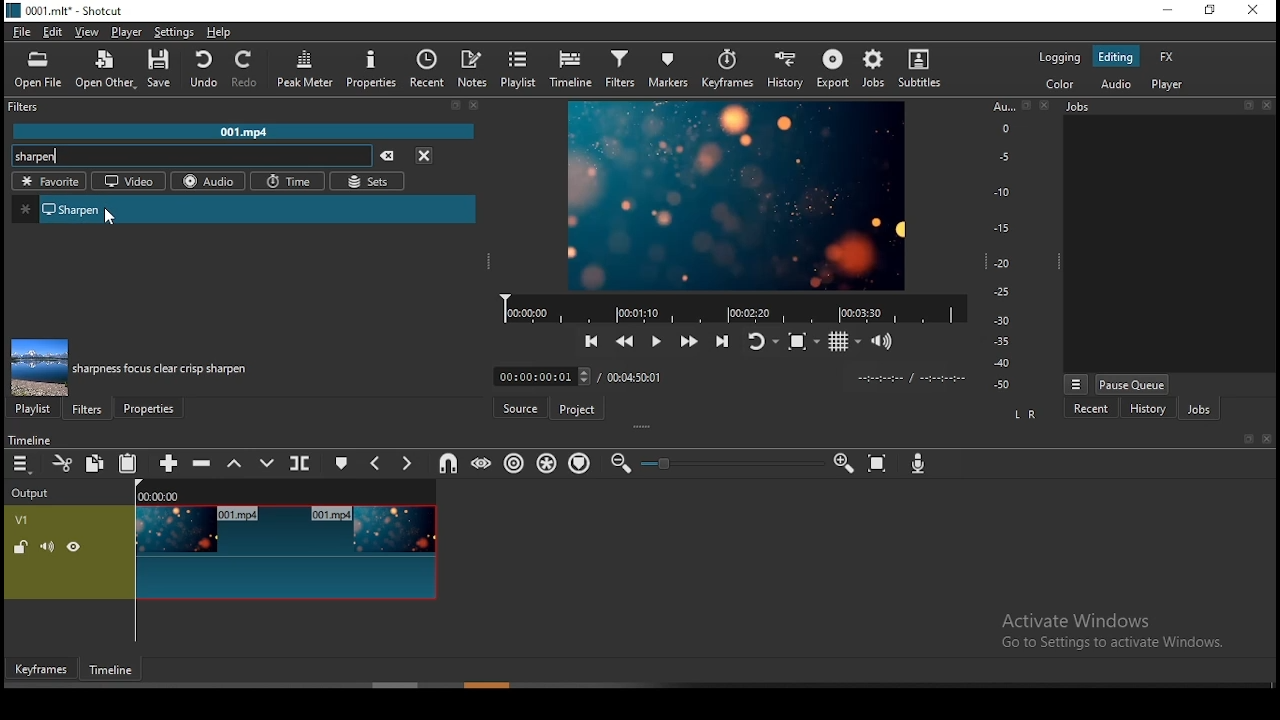  Describe the element at coordinates (428, 68) in the screenshot. I see `recent` at that location.